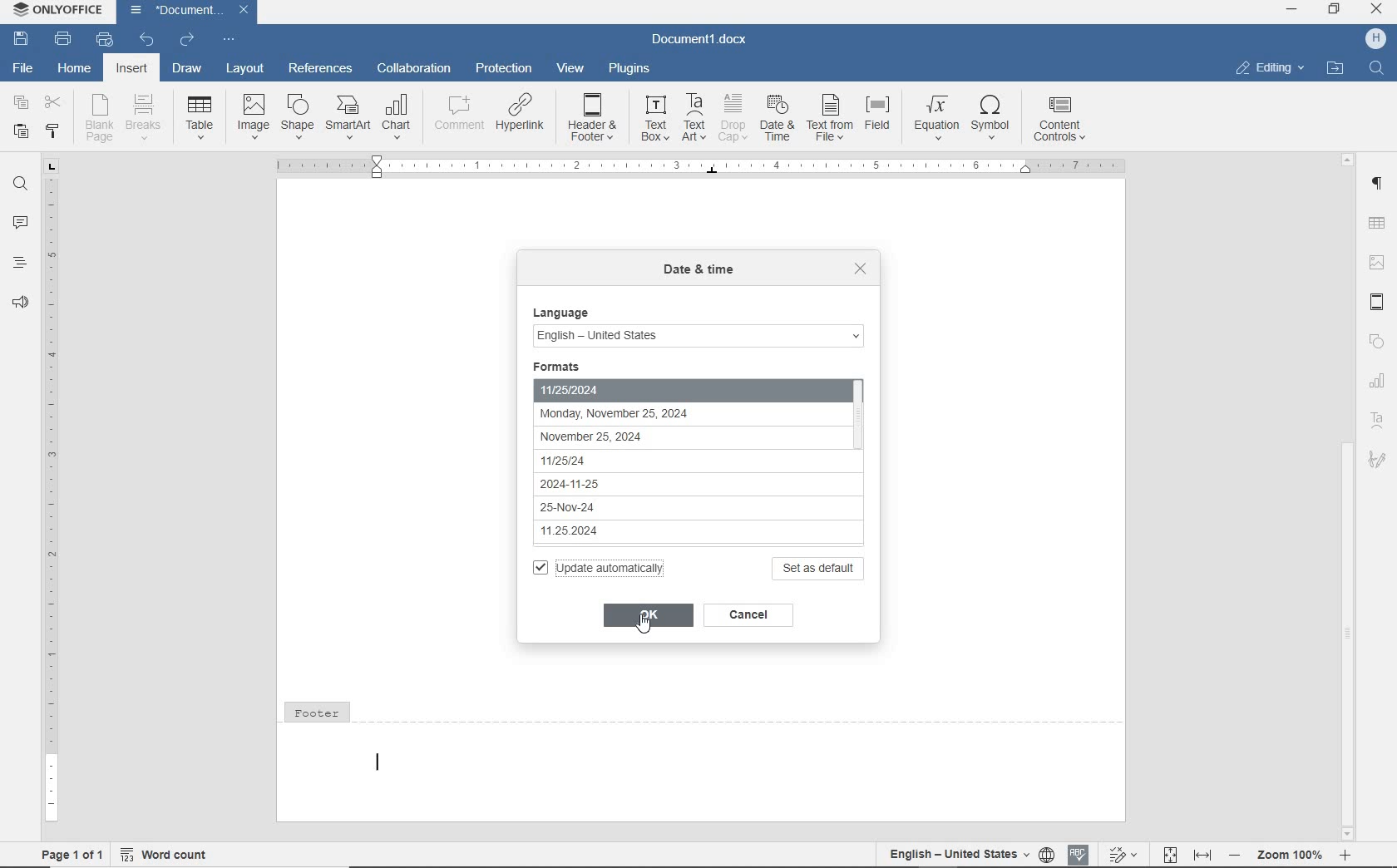 Image resolution: width=1397 pixels, height=868 pixels. Describe the element at coordinates (698, 332) in the screenshot. I see `English — United States -` at that location.